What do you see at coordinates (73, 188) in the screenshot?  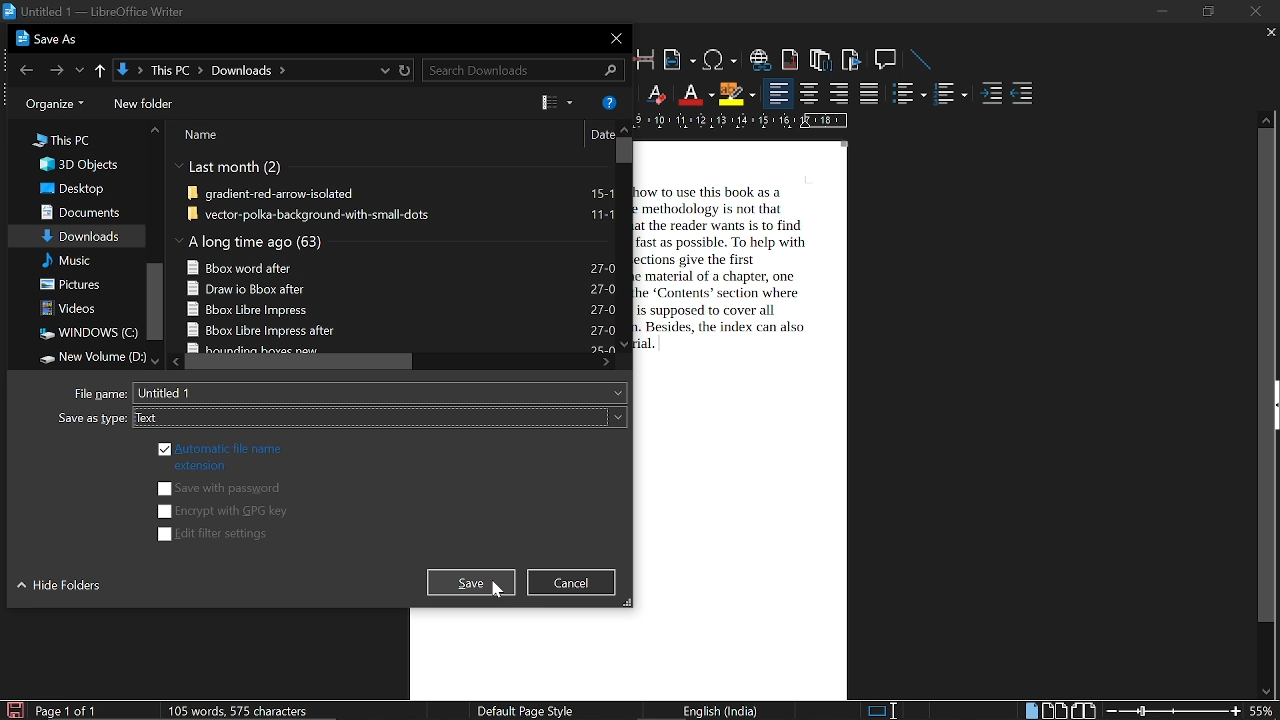 I see `Desktop` at bounding box center [73, 188].